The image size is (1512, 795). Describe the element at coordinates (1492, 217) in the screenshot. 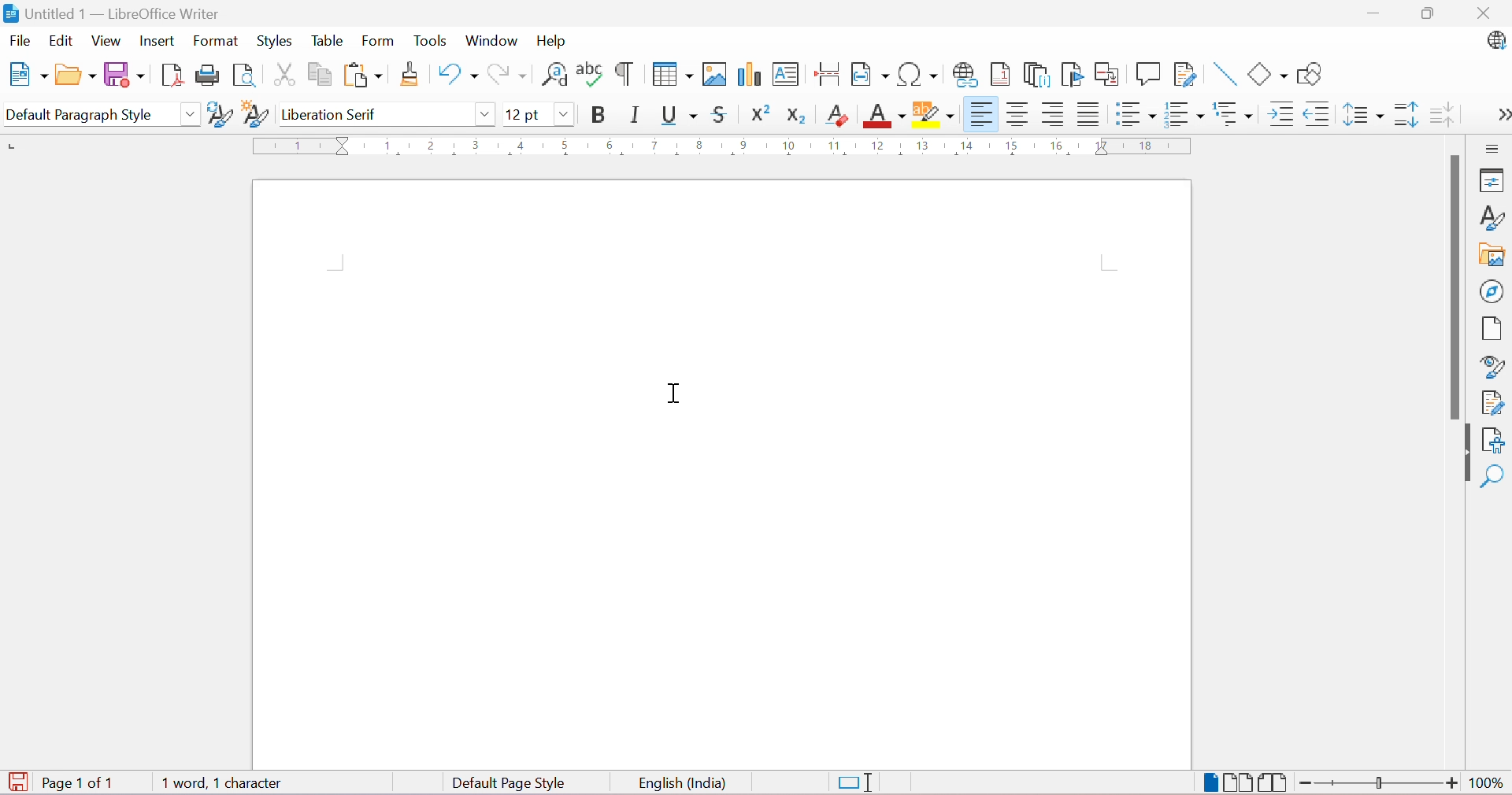

I see `Styles` at that location.